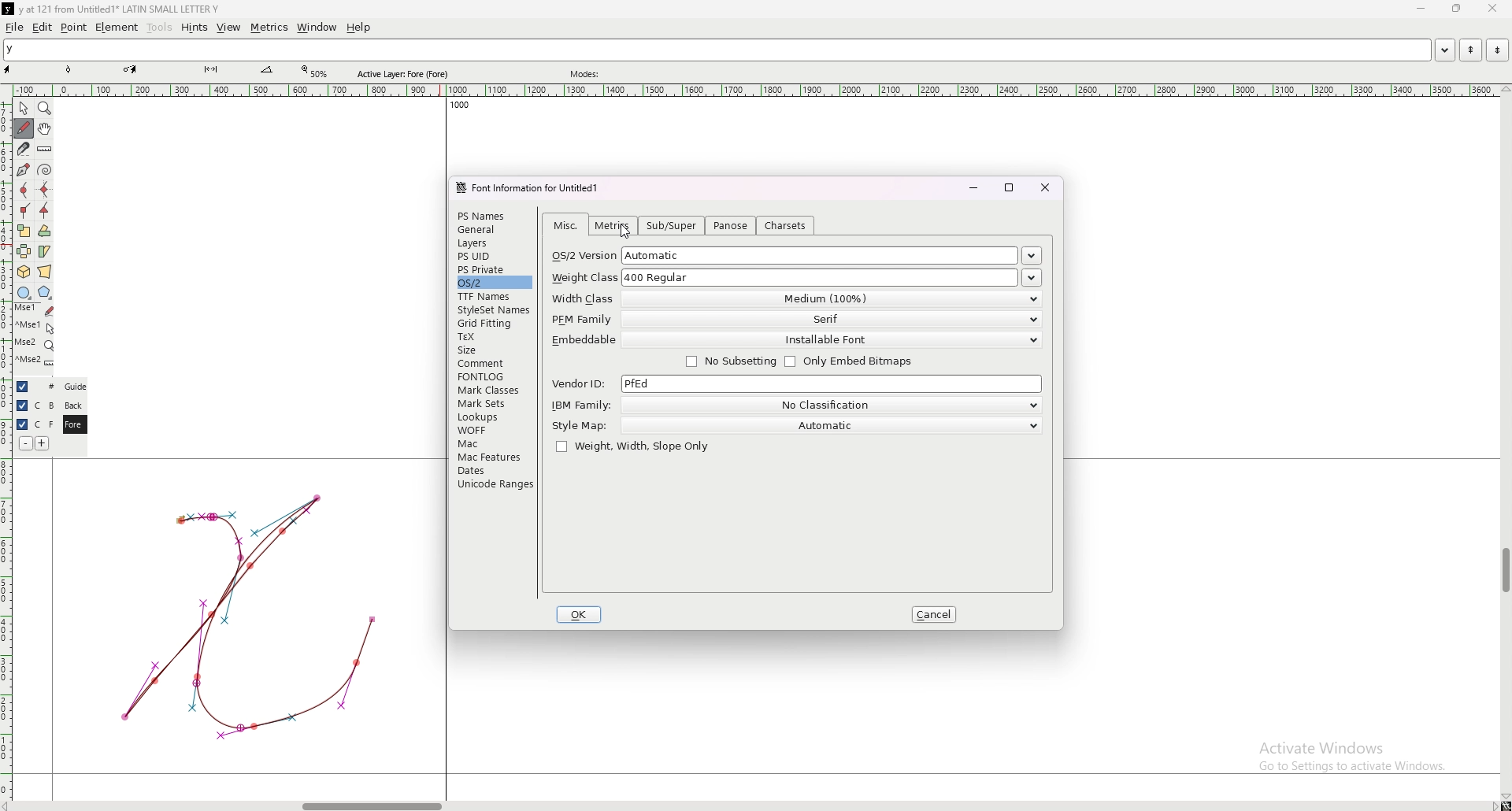  I want to click on minimize, so click(973, 187).